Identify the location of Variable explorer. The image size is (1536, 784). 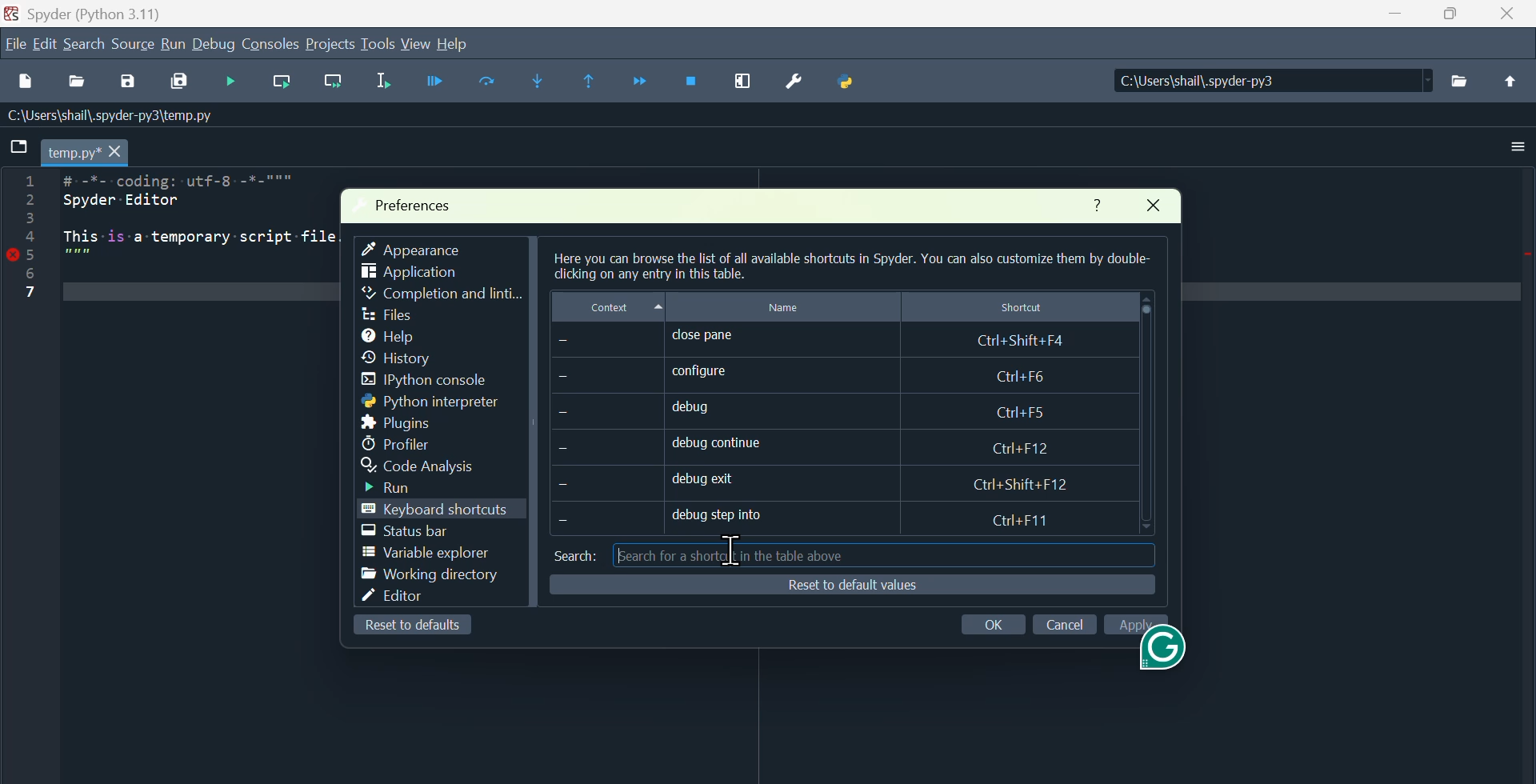
(421, 554).